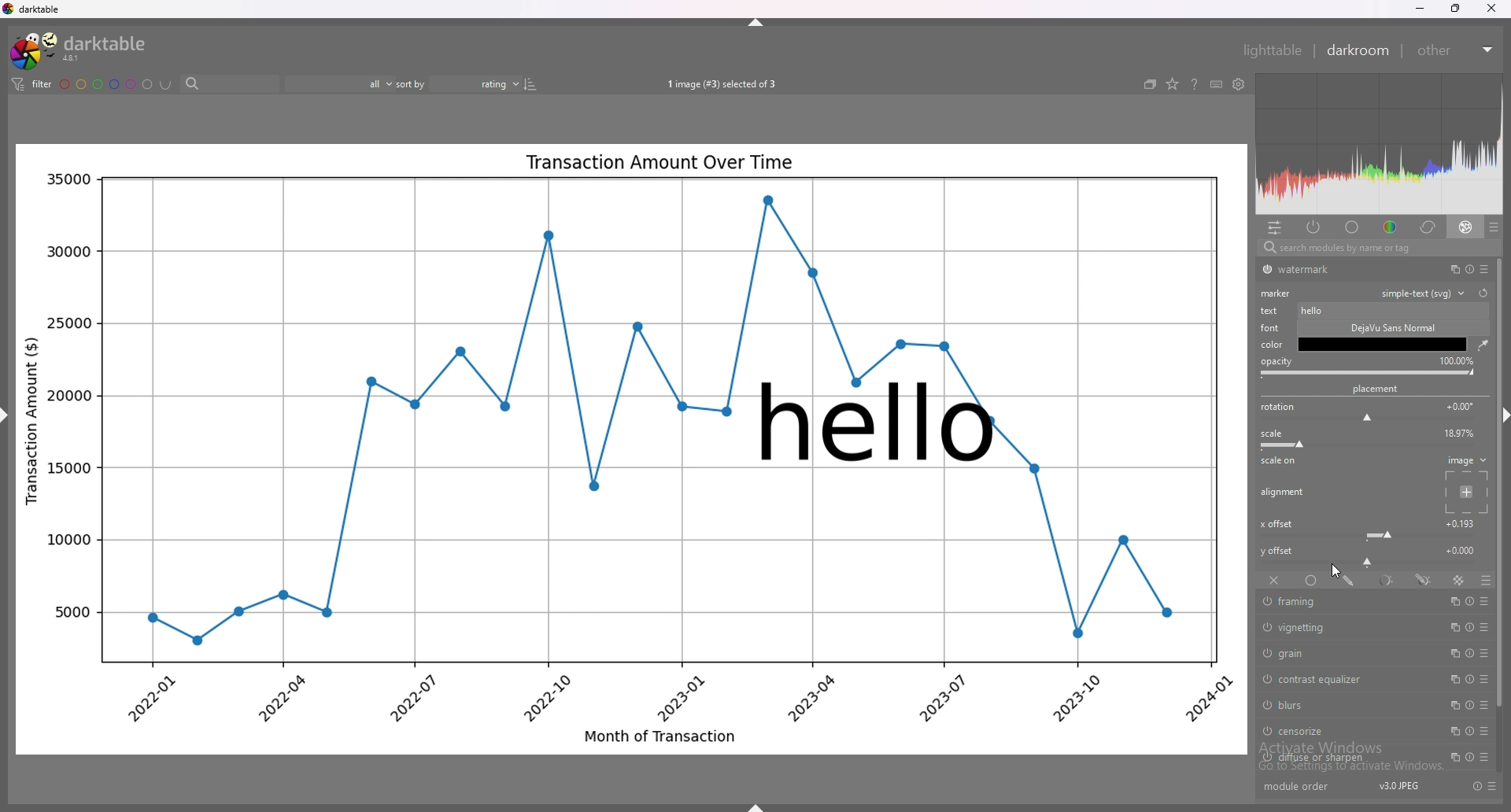 The width and height of the screenshot is (1511, 812). Describe the element at coordinates (1304, 788) in the screenshot. I see `module order` at that location.